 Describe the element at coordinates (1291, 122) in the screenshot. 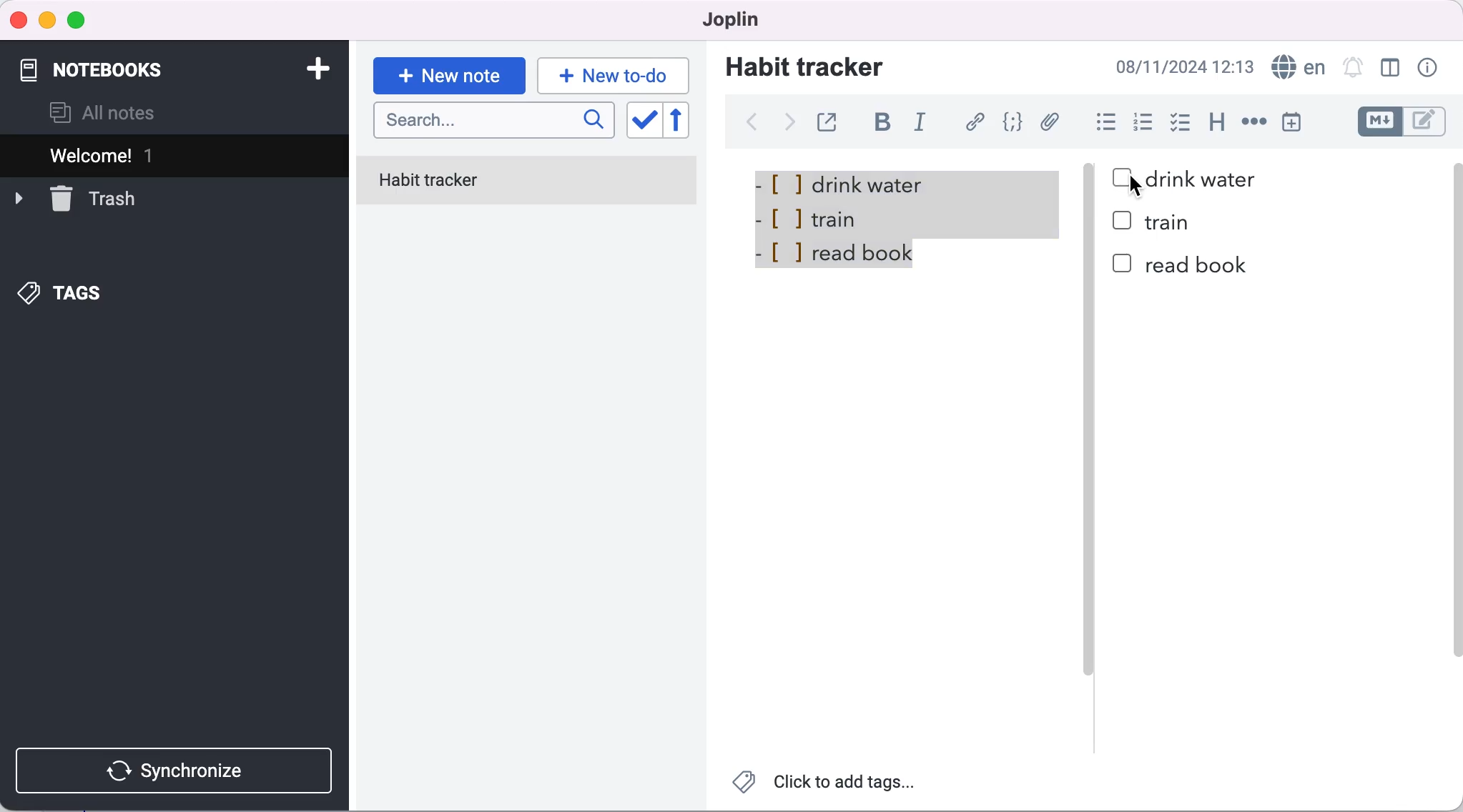

I see `insert time` at that location.